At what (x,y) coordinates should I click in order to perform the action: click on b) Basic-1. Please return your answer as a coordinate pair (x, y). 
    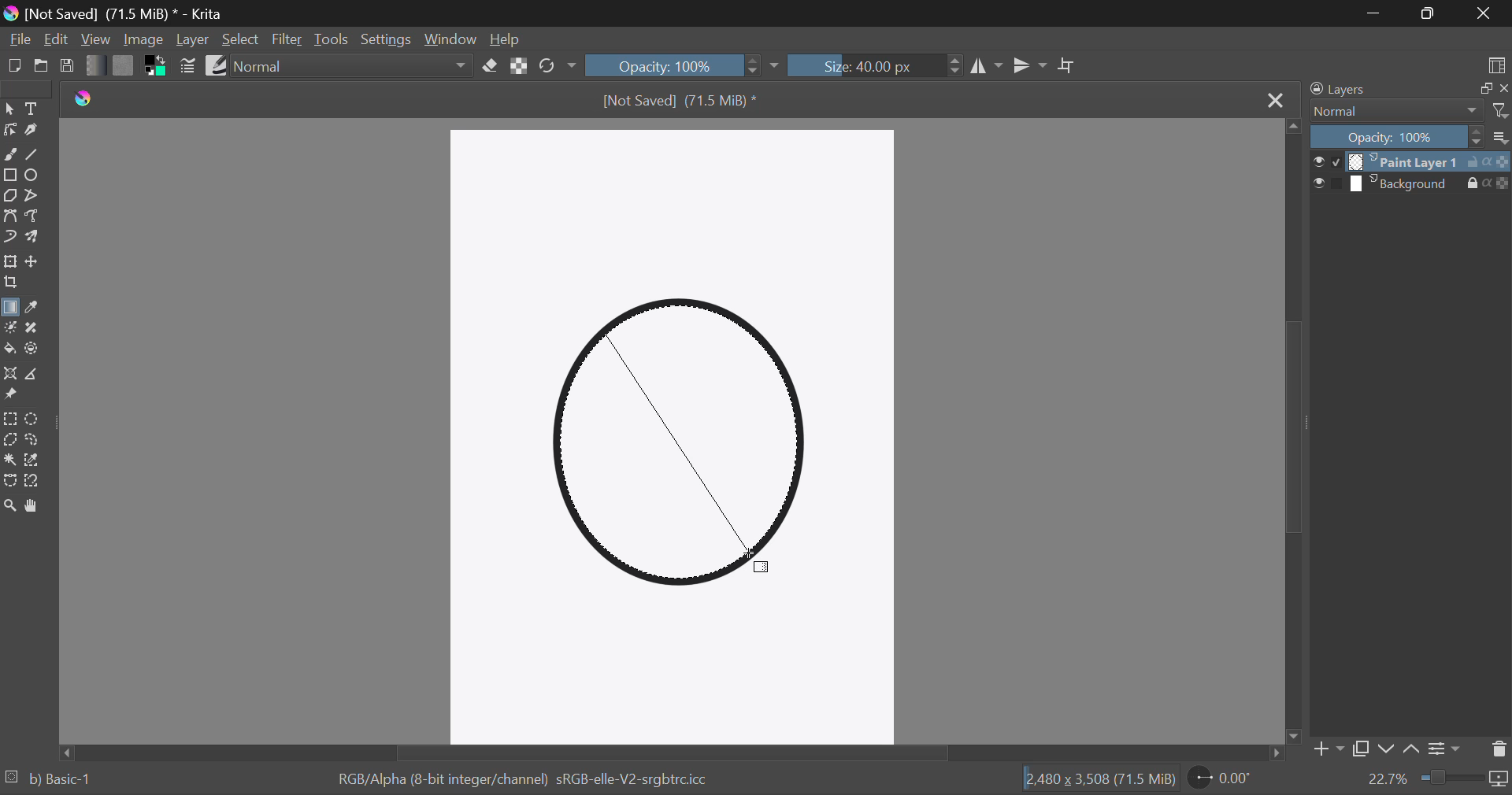
    Looking at the image, I should click on (57, 780).